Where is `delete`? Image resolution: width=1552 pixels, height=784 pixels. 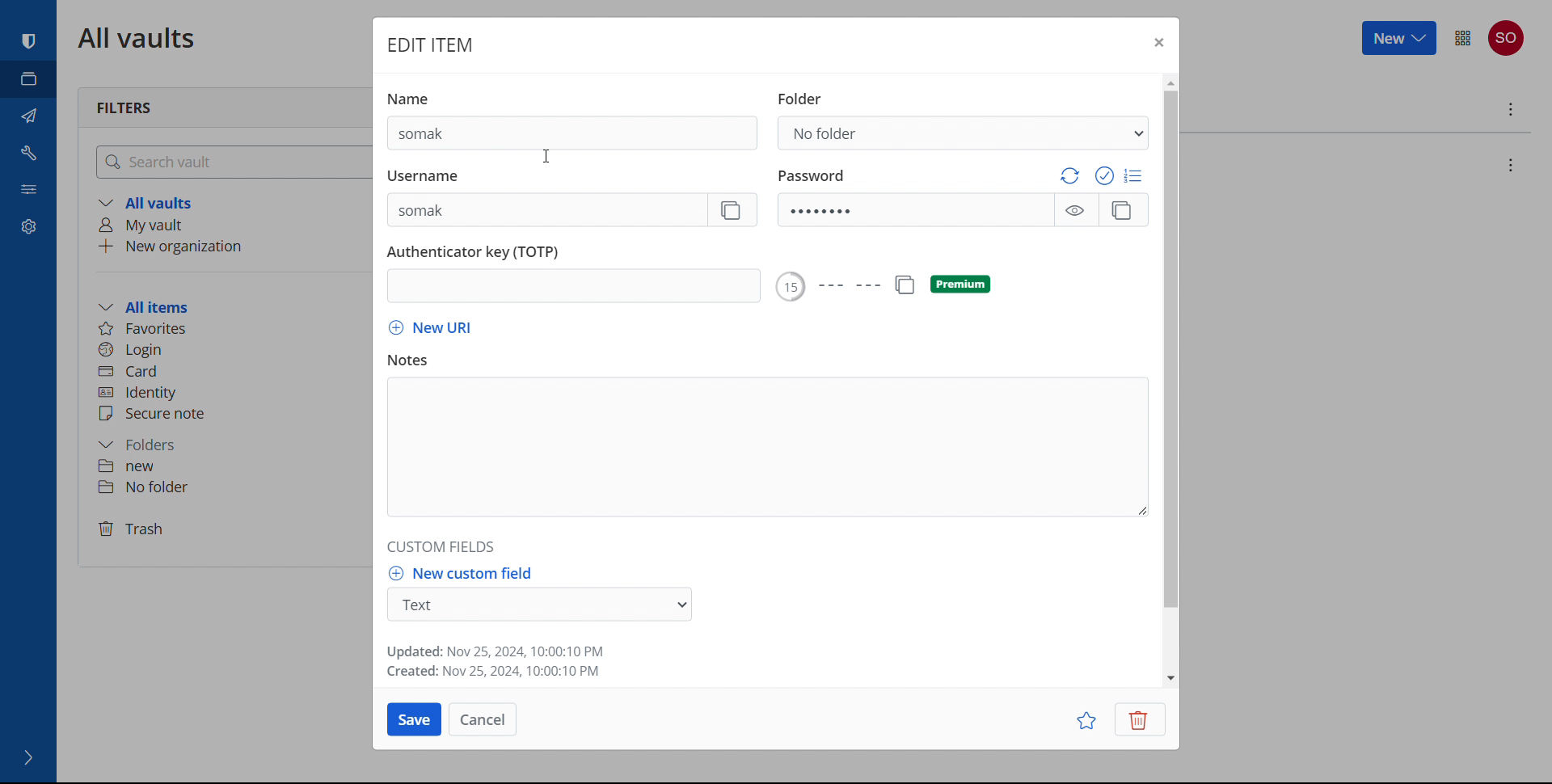 delete is located at coordinates (1139, 720).